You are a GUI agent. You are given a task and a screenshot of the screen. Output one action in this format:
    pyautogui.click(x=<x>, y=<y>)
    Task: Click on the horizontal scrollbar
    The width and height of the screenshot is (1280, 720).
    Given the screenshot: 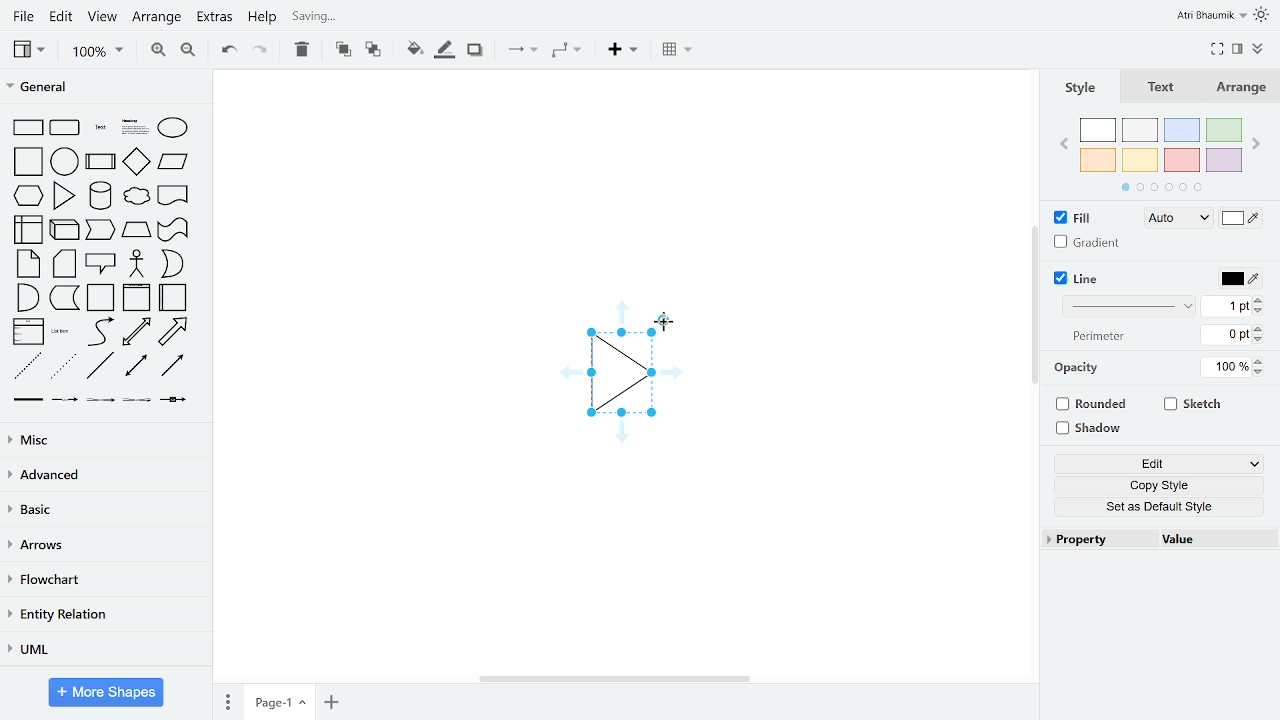 What is the action you would take?
    pyautogui.click(x=614, y=679)
    